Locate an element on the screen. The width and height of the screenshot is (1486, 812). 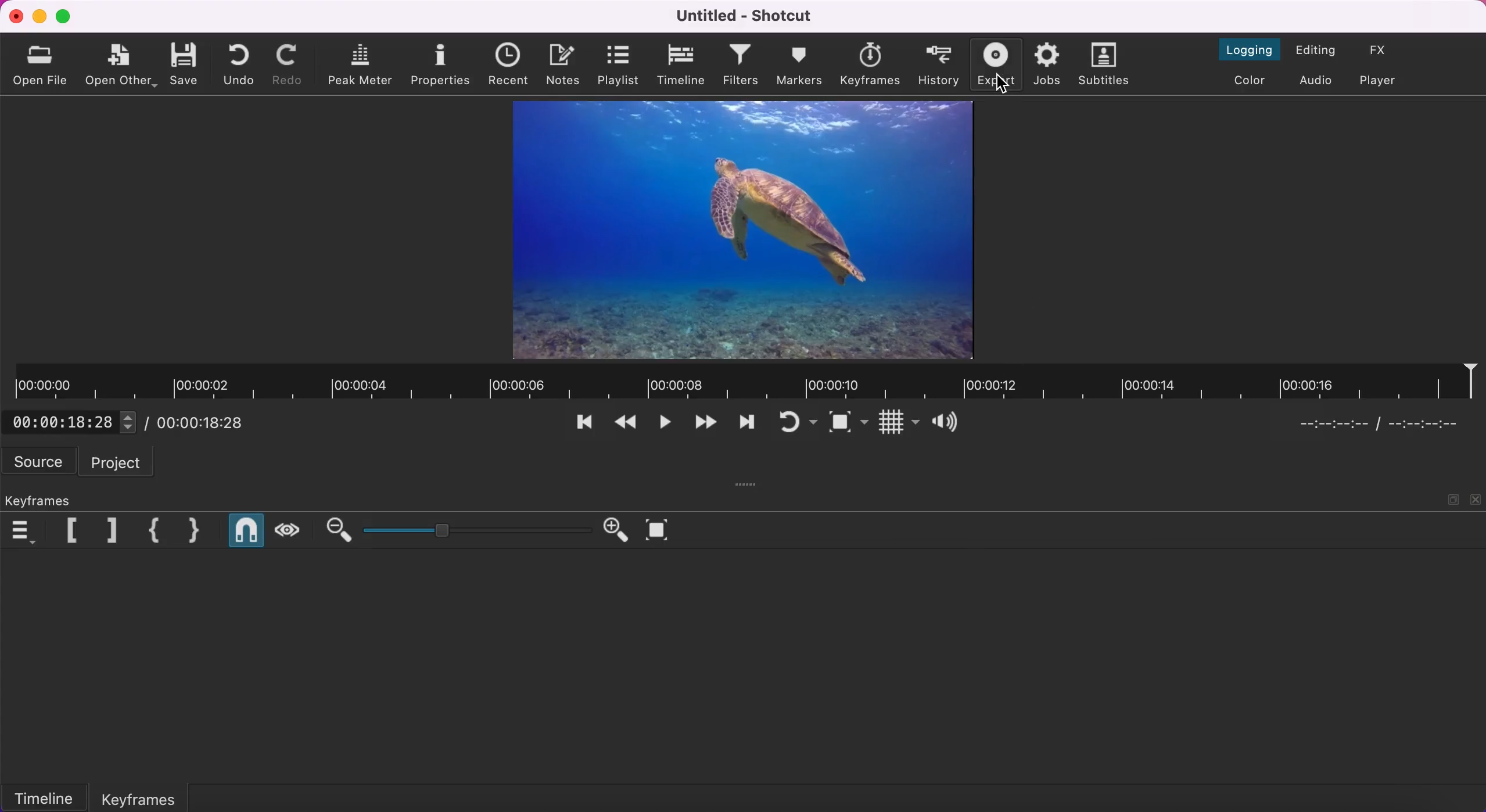
peak meter is located at coordinates (361, 63).